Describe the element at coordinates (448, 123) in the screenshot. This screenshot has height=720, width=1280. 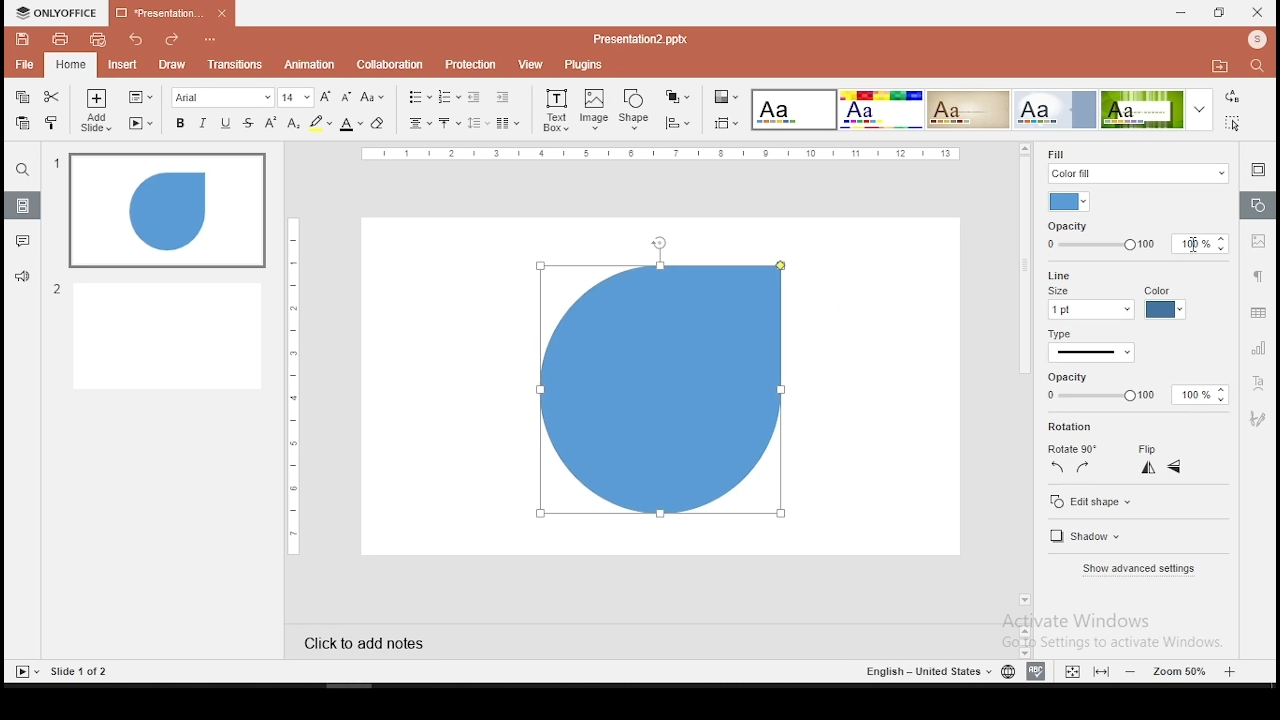
I see `vertical alignment` at that location.